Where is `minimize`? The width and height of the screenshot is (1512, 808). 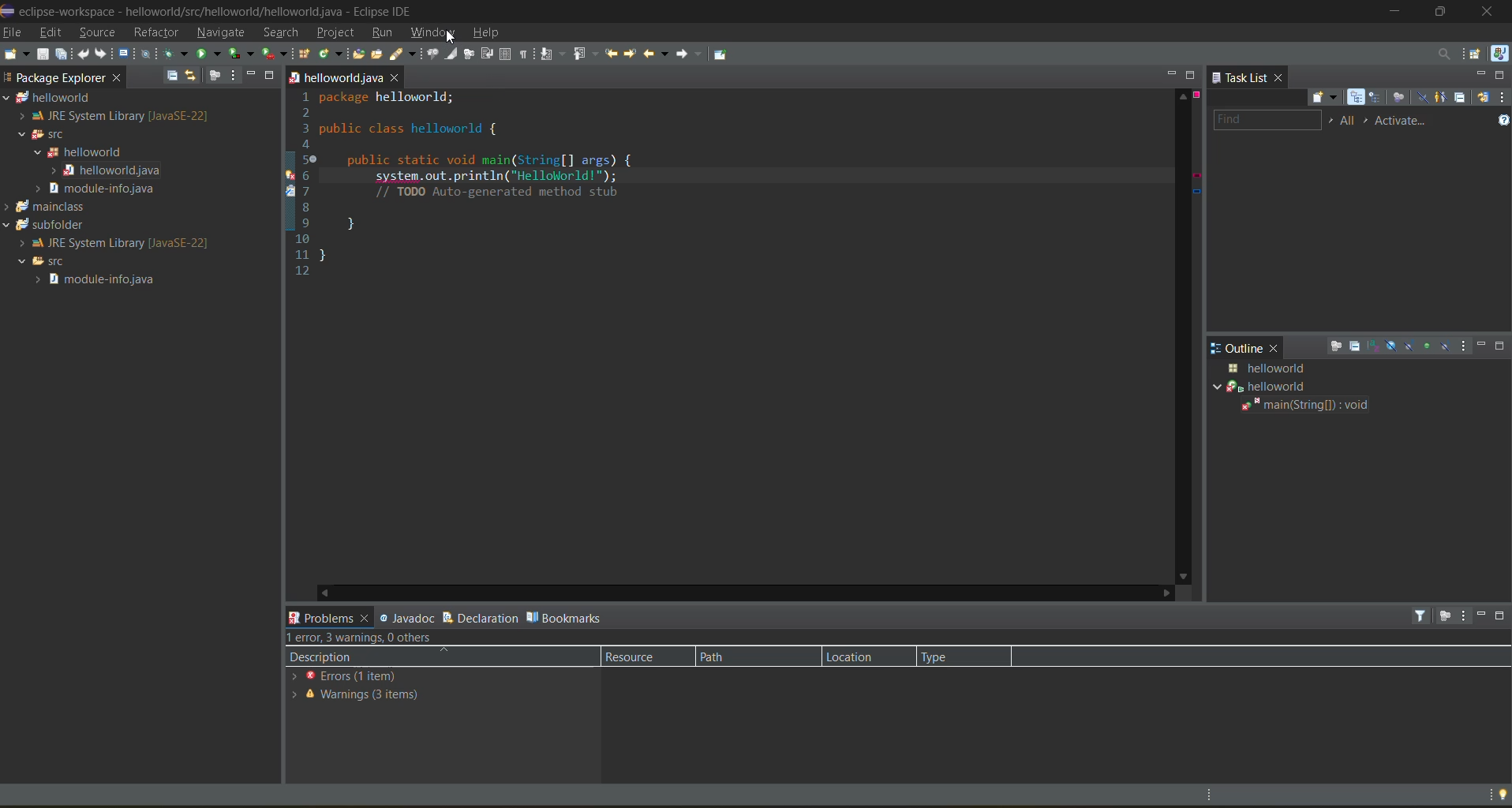
minimize is located at coordinates (1481, 73).